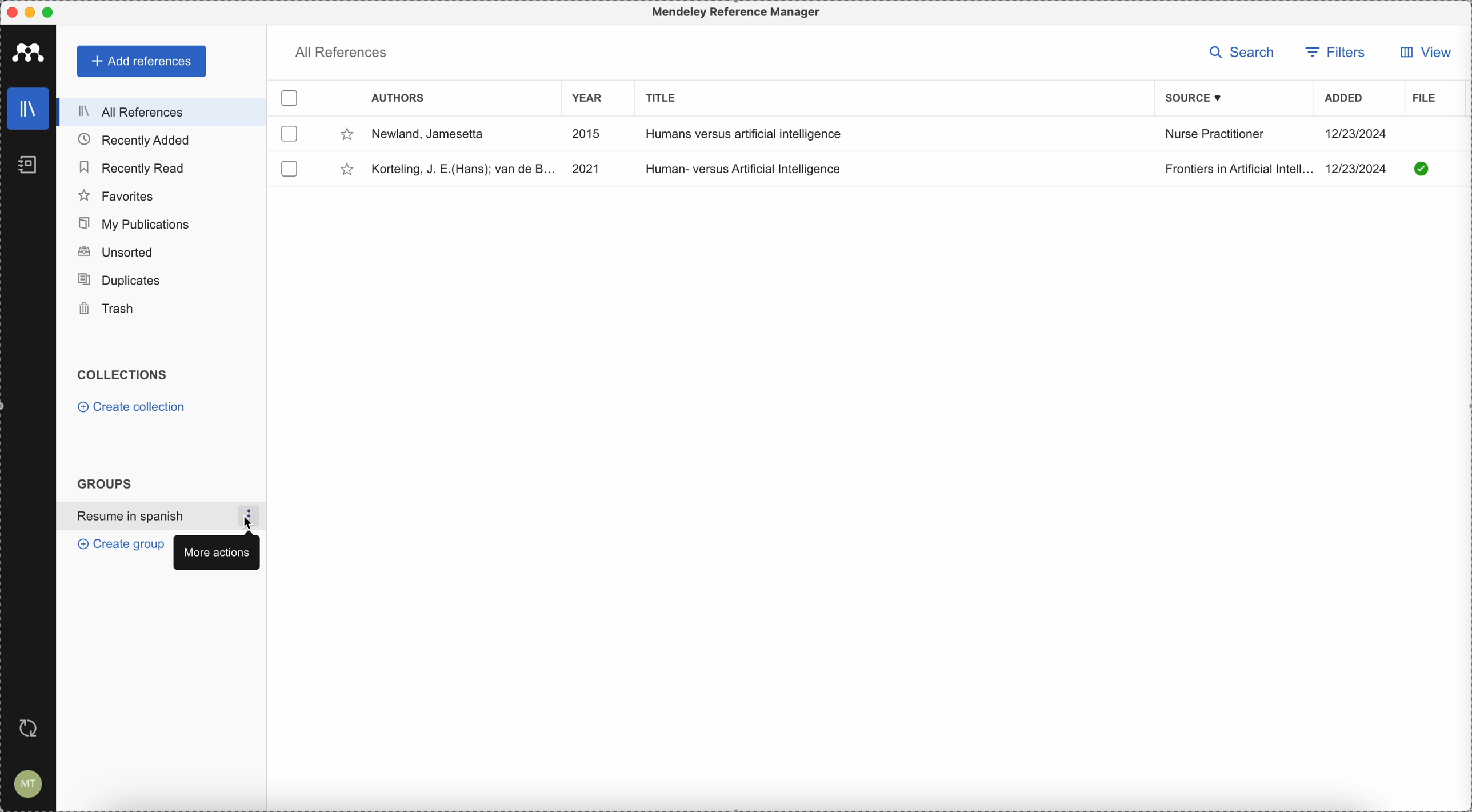 This screenshot has width=1472, height=812. I want to click on search, so click(1242, 51).